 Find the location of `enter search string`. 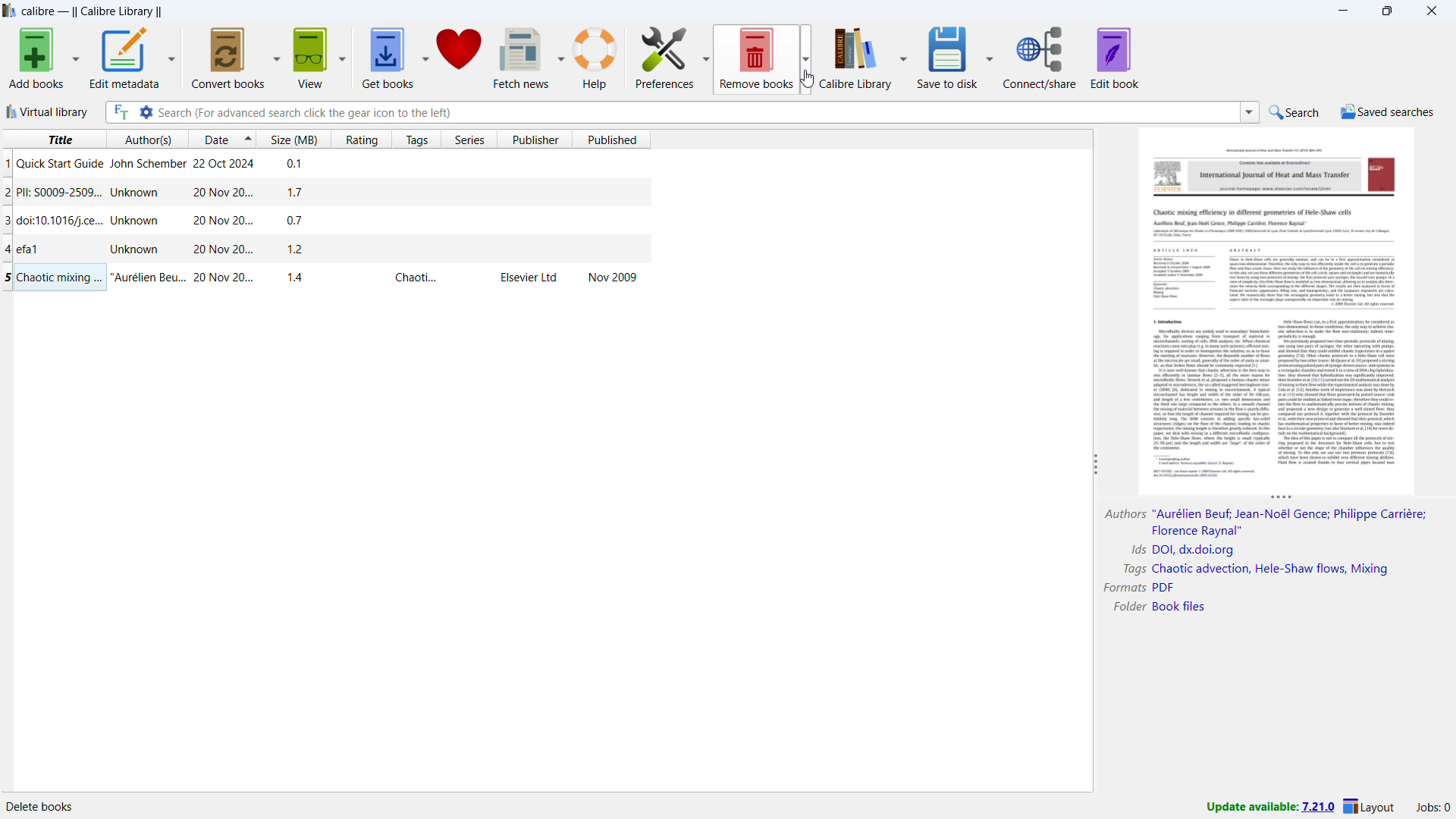

enter search string is located at coordinates (698, 112).